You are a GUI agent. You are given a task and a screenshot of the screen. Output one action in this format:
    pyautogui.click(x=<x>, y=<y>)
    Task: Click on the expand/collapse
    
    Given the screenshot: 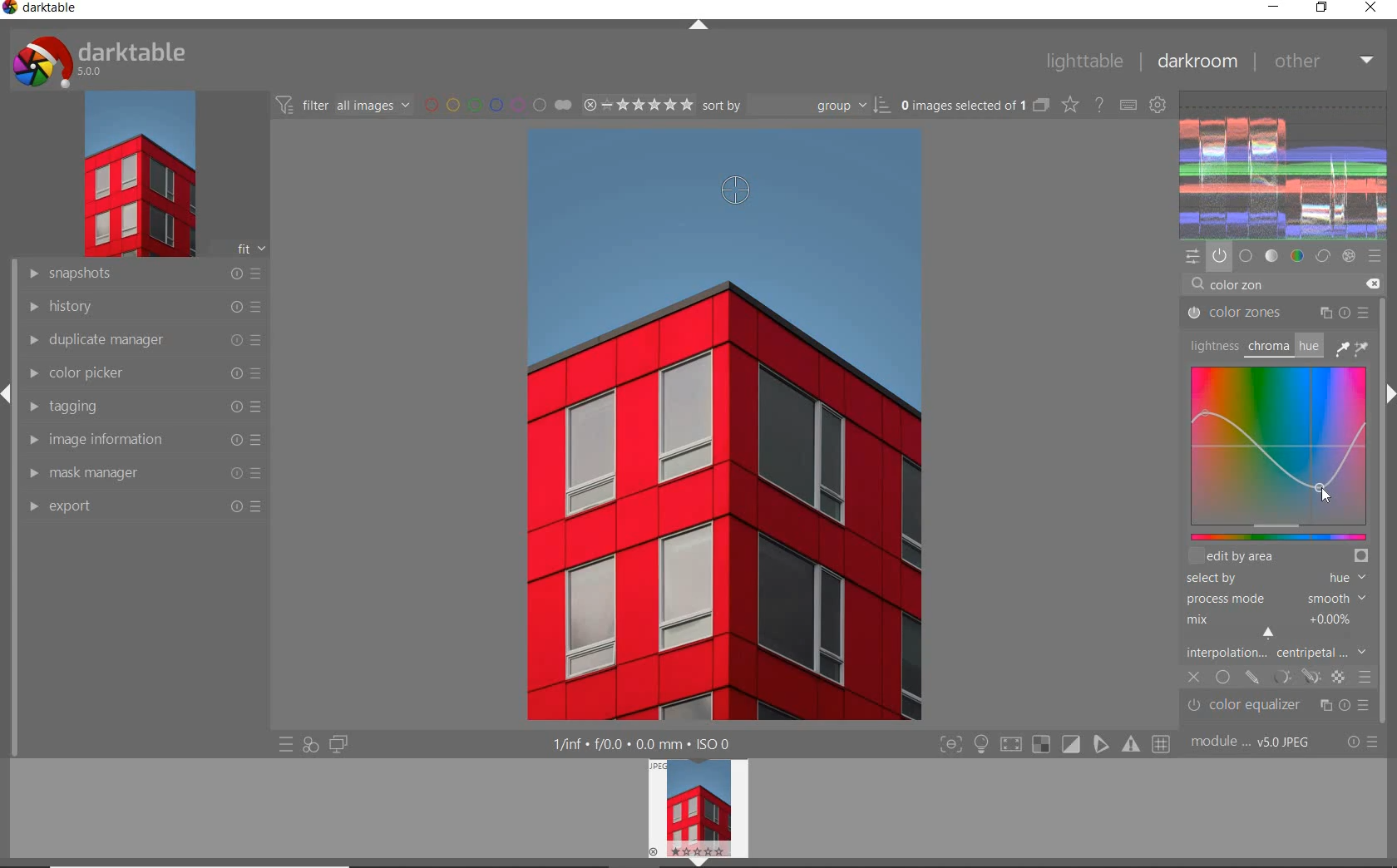 What is the action you would take?
    pyautogui.click(x=693, y=861)
    